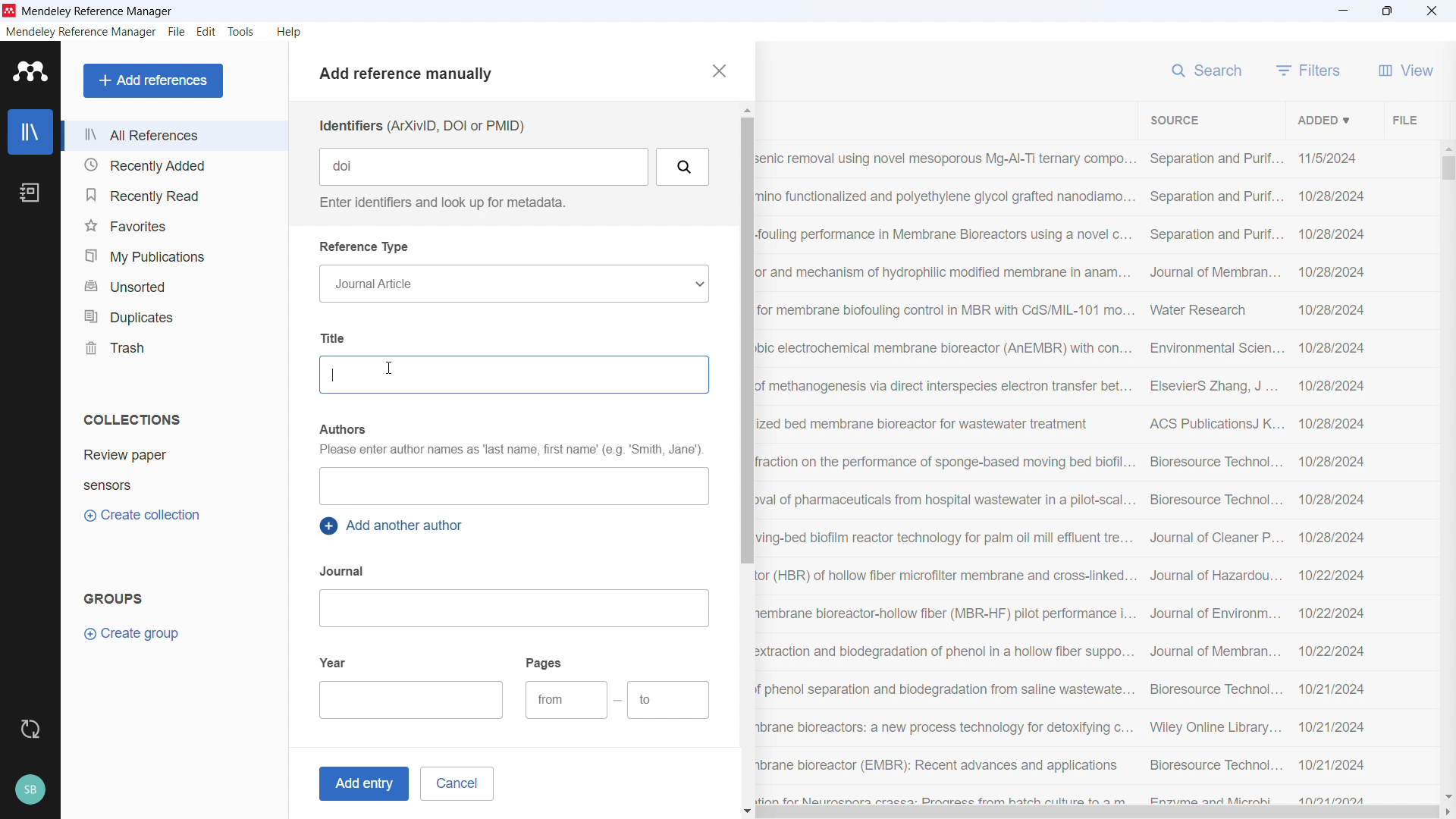  I want to click on Scroll down , so click(1447, 796).